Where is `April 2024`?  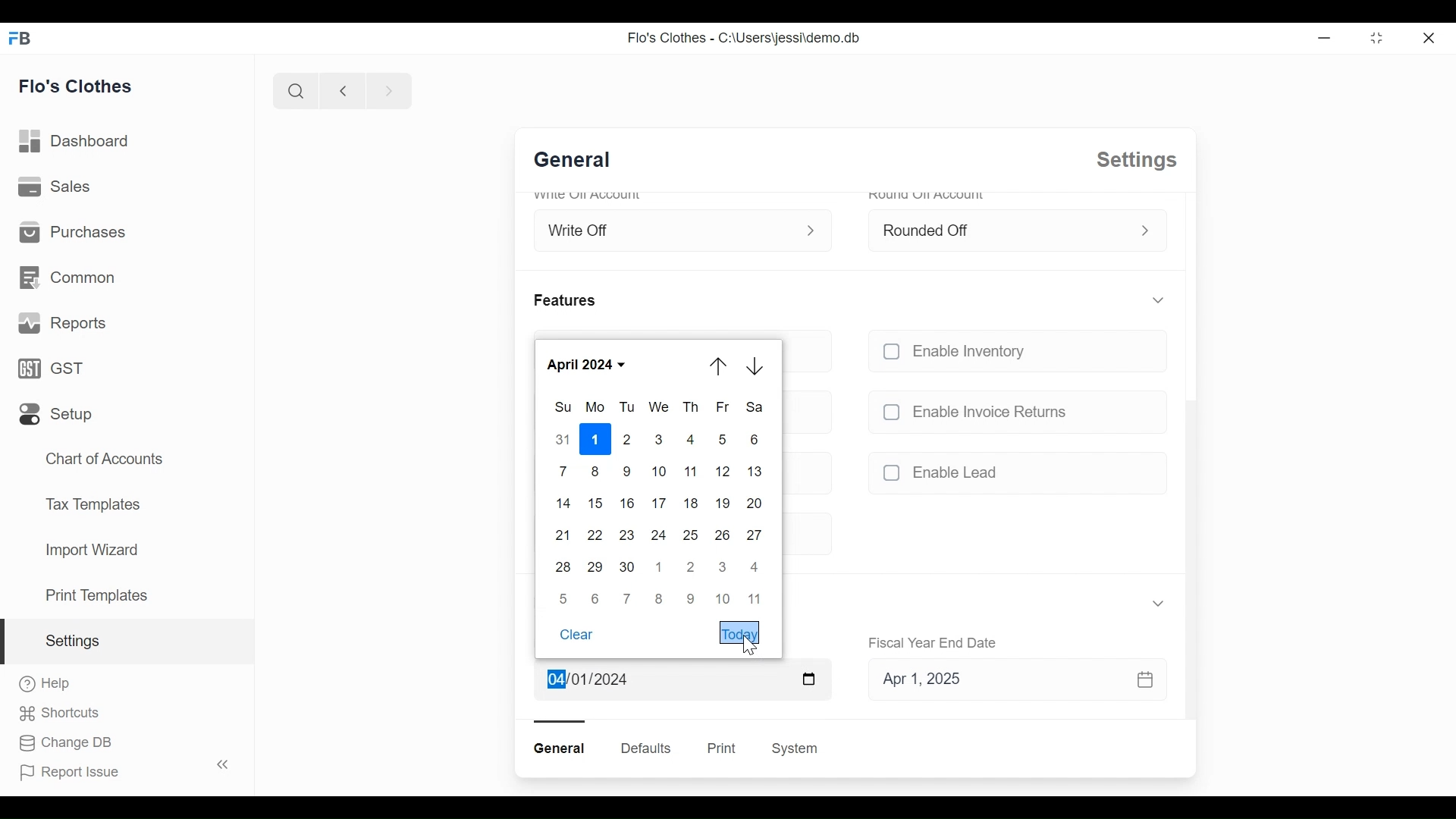
April 2024 is located at coordinates (587, 366).